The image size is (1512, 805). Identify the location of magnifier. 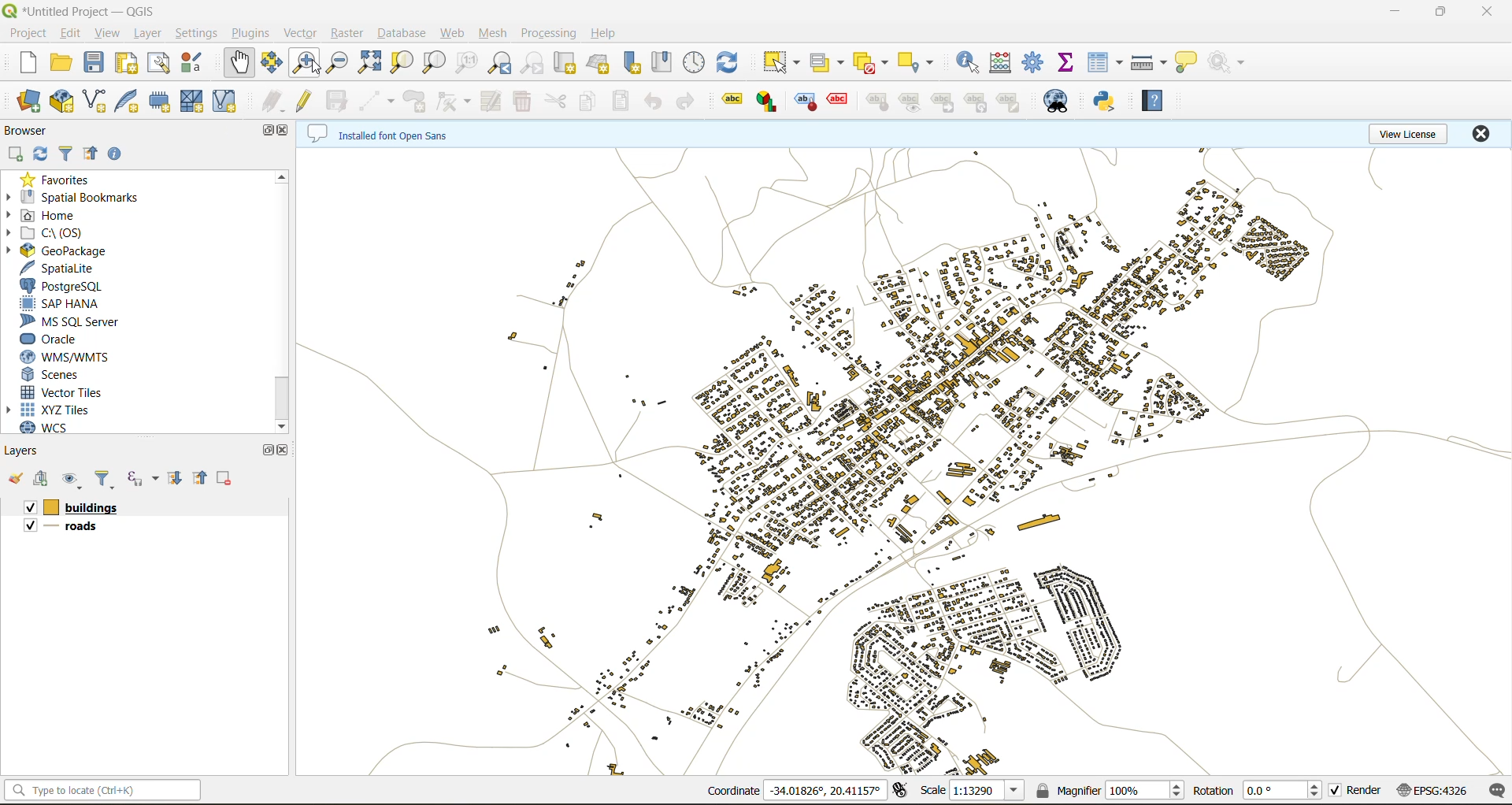
(1109, 789).